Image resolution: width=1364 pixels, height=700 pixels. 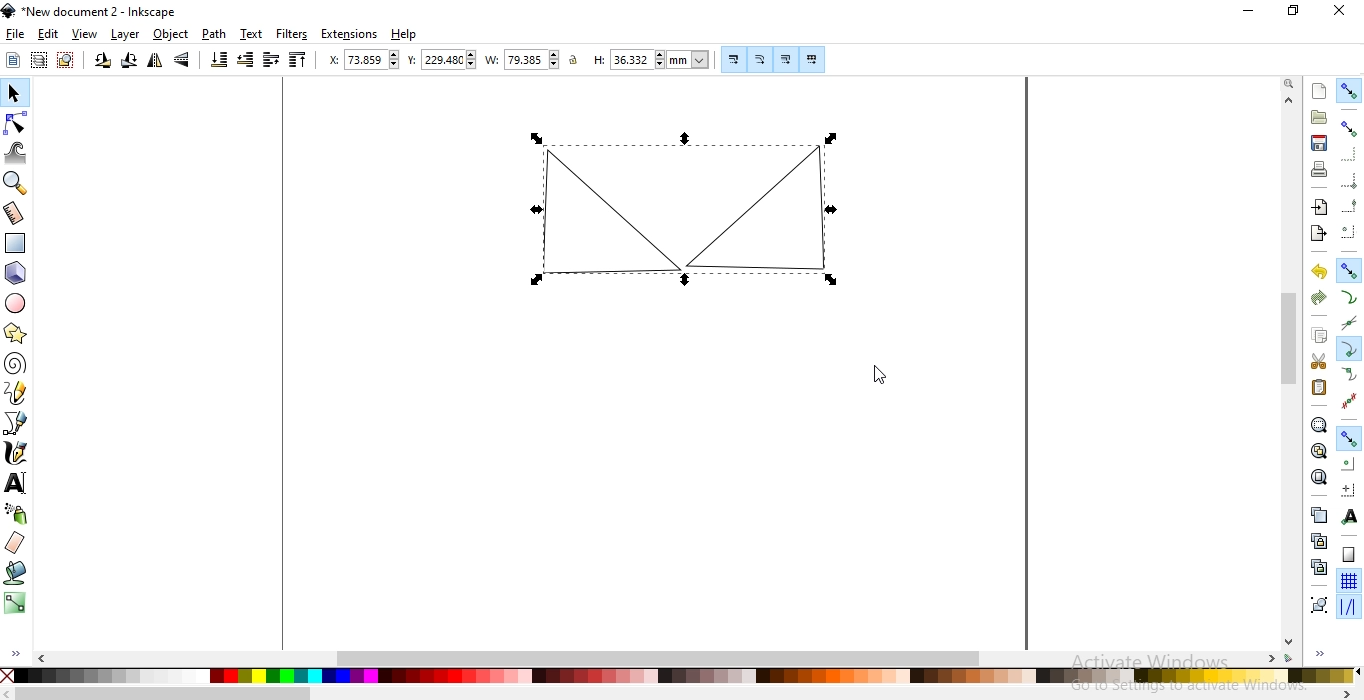 I want to click on snap an items rotation center, so click(x=1348, y=489).